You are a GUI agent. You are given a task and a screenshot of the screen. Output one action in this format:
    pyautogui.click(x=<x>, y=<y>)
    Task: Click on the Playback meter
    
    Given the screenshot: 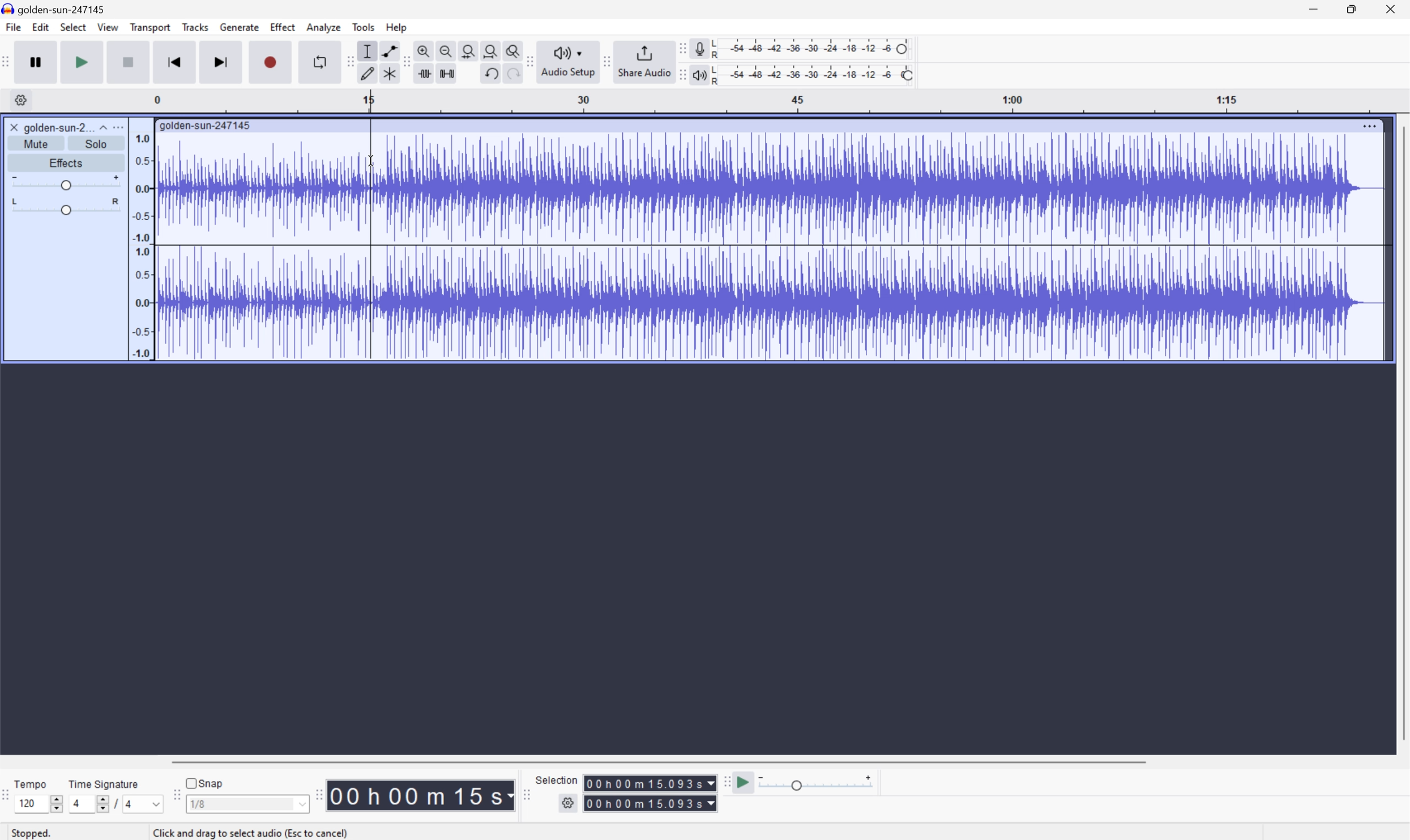 What is the action you would take?
    pyautogui.click(x=697, y=76)
    